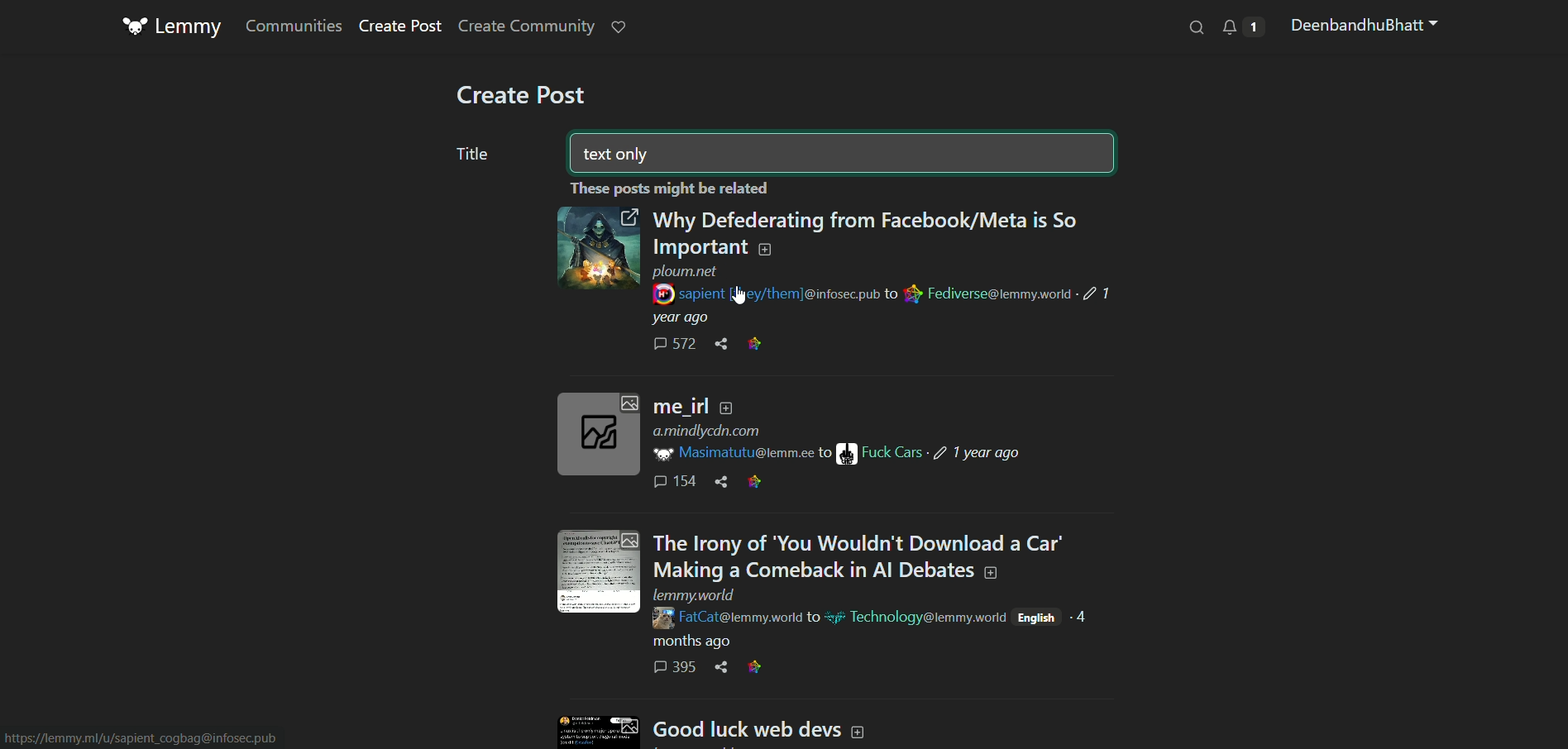  I want to click on to, so click(823, 452).